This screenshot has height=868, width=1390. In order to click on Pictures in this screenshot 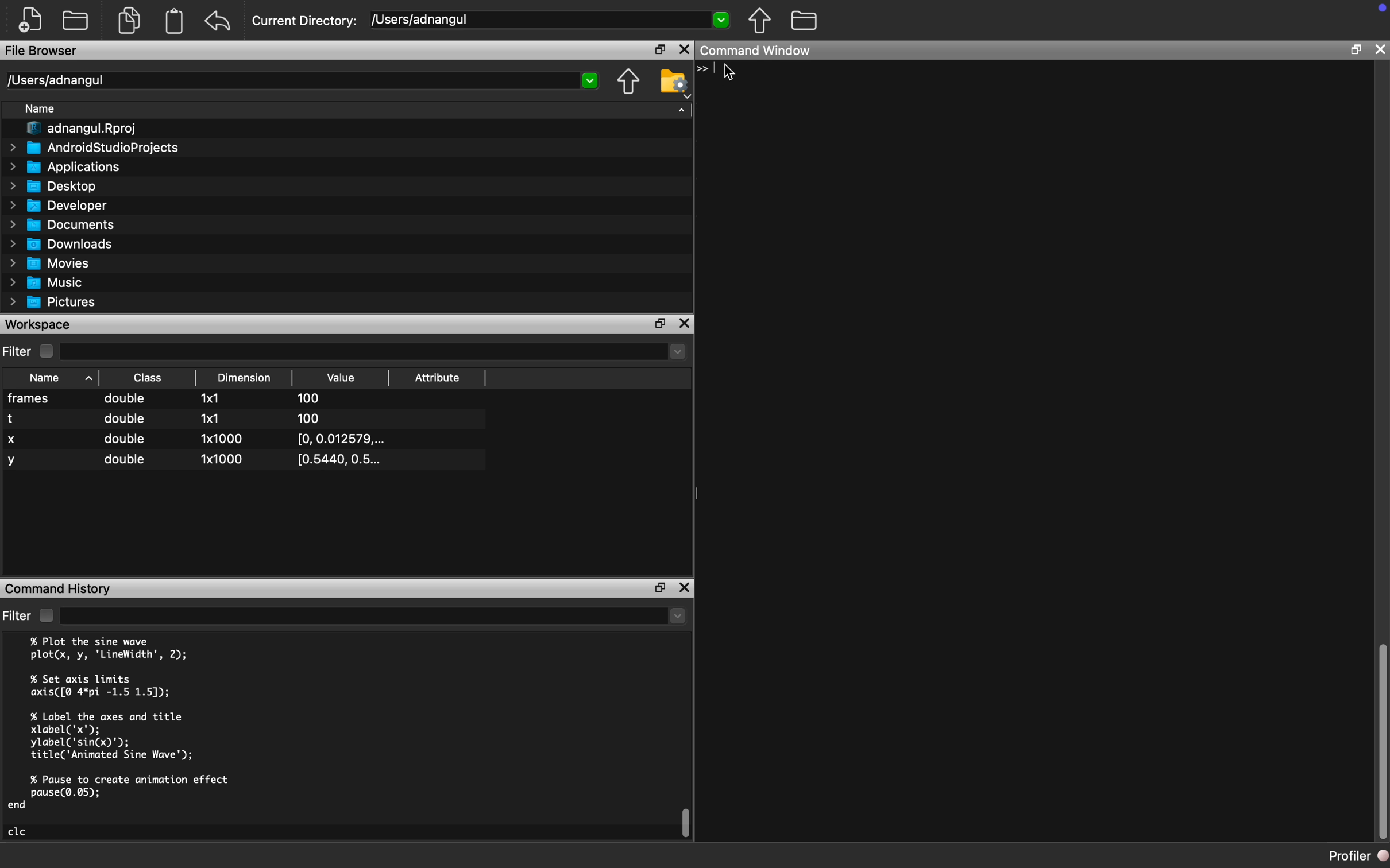, I will do `click(53, 301)`.